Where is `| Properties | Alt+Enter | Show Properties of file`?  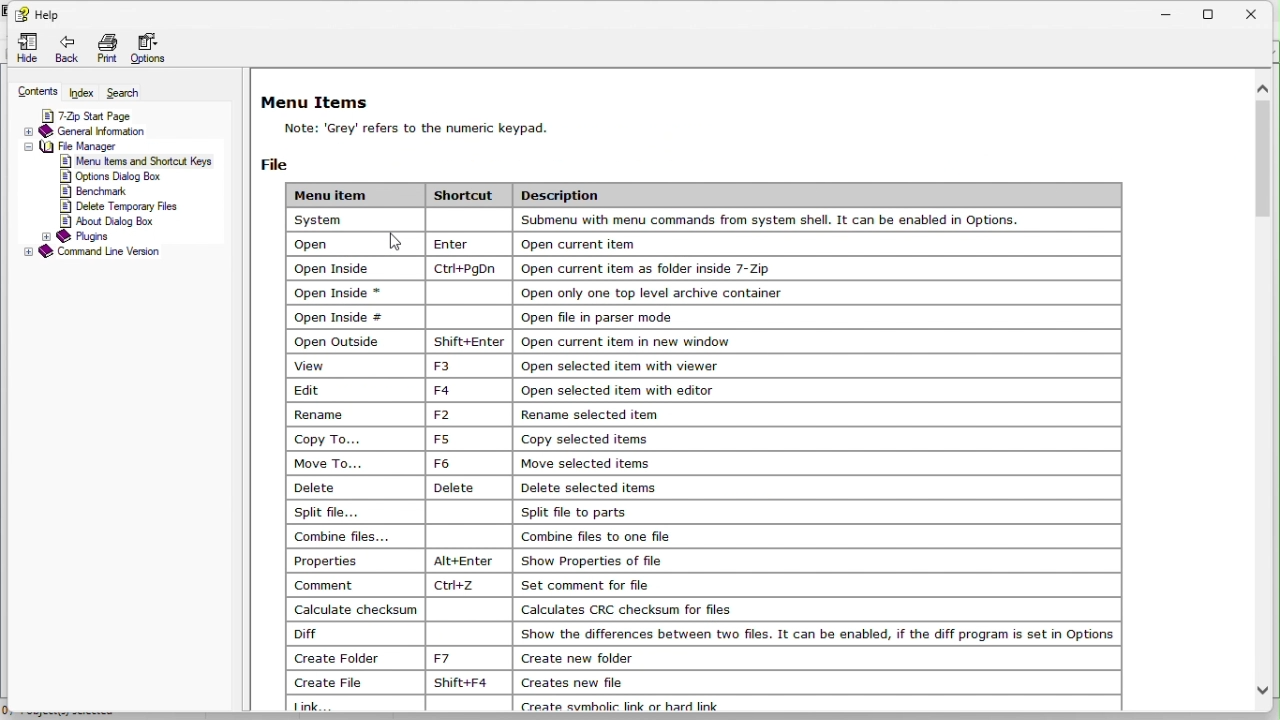
| Properties | Alt+Enter | Show Properties of file is located at coordinates (489, 560).